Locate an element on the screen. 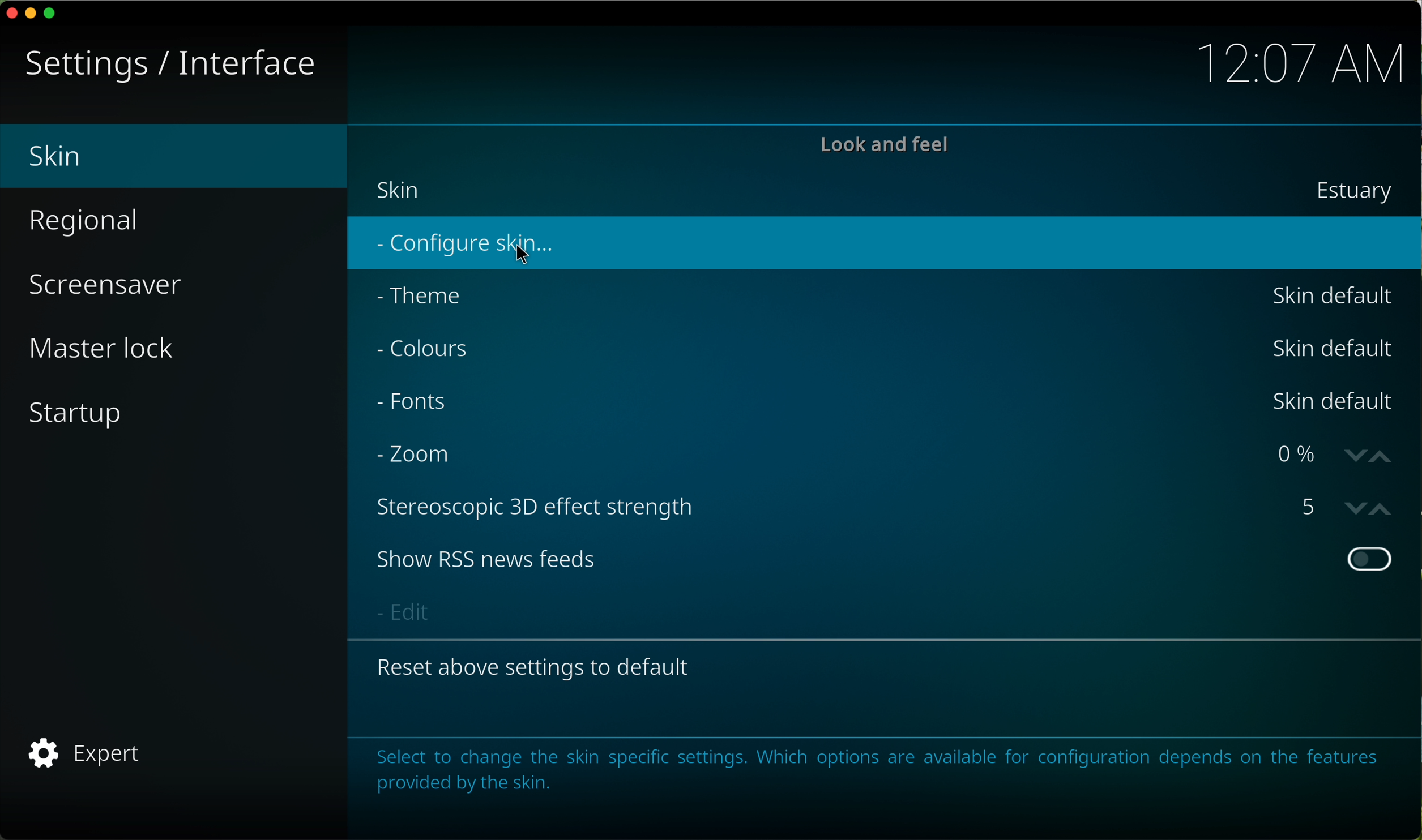  maximize is located at coordinates (53, 13).